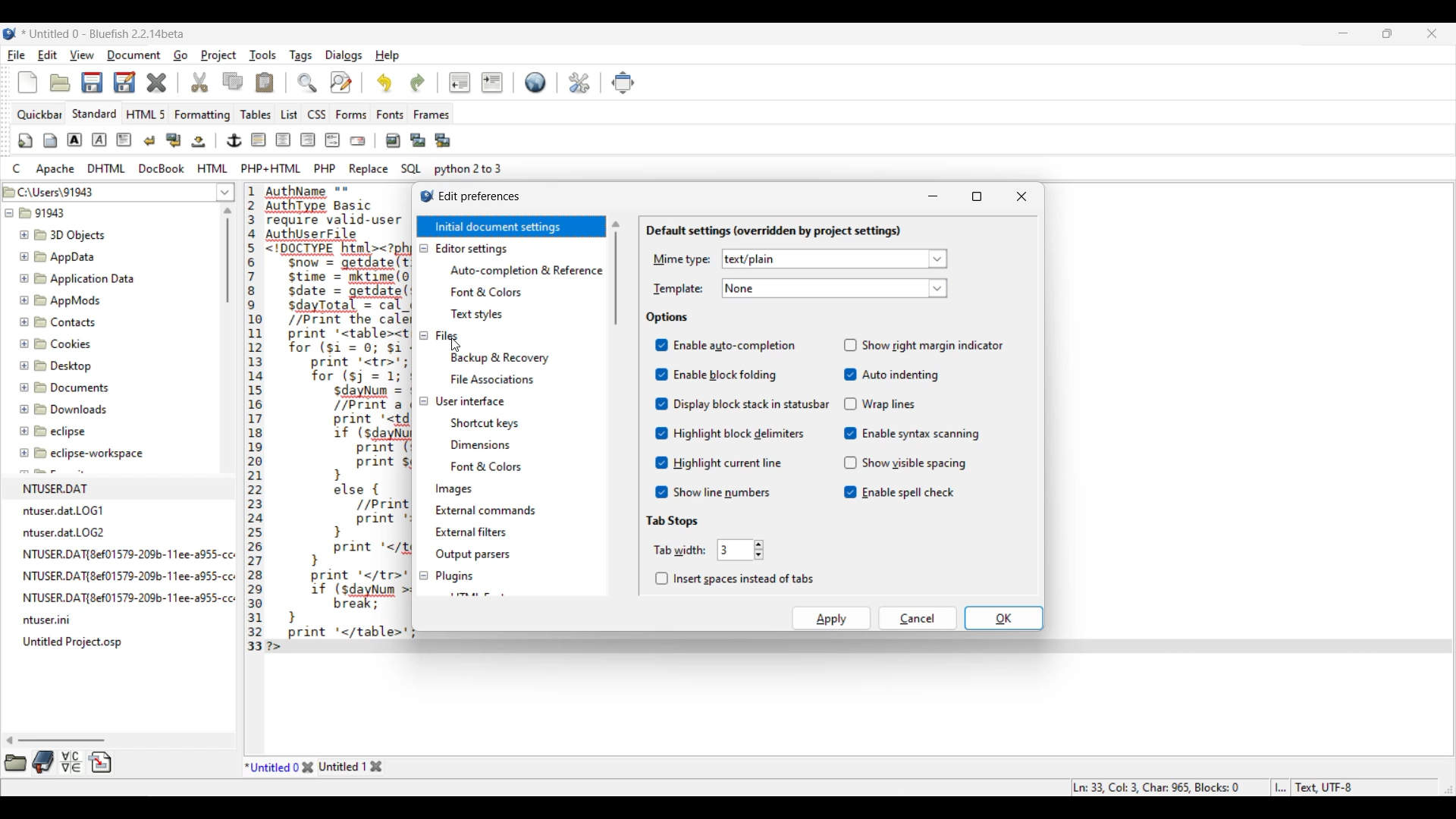 Image resolution: width=1456 pixels, height=819 pixels. I want to click on Undo, so click(384, 83).